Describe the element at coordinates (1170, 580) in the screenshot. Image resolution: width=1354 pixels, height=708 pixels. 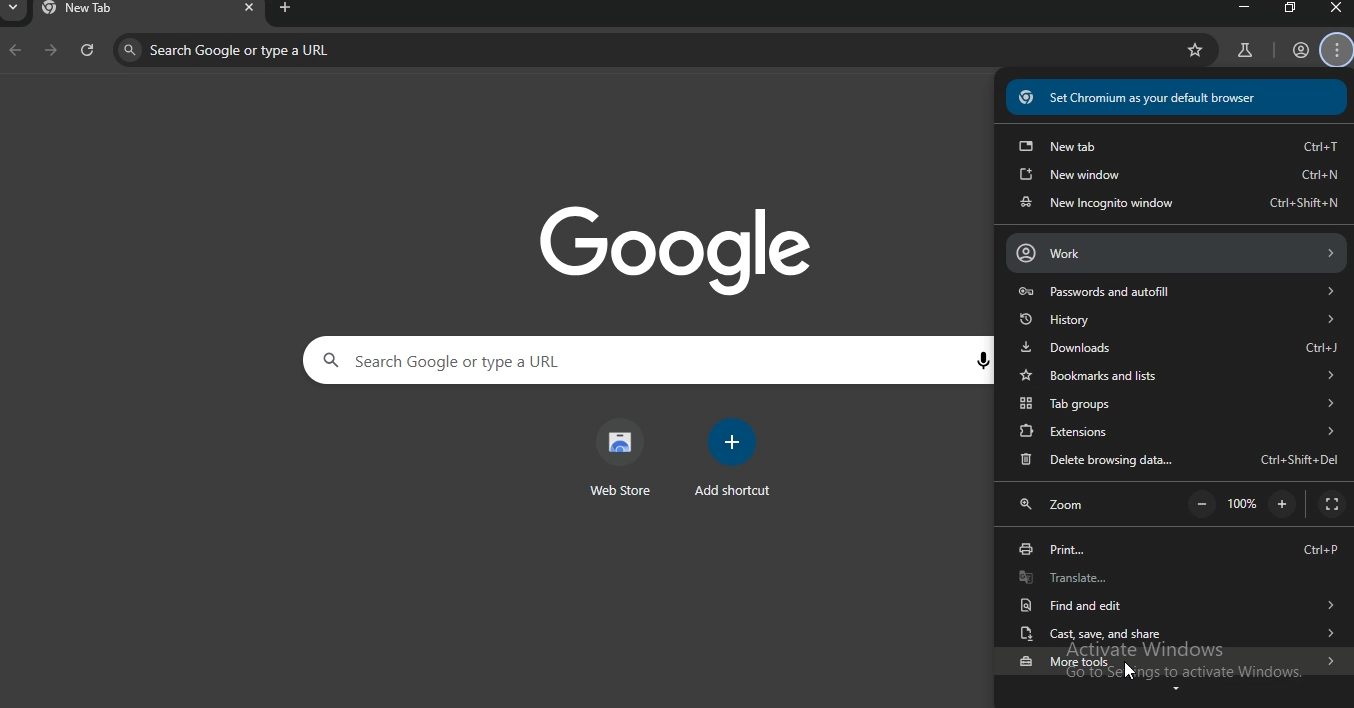
I see `translate` at that location.